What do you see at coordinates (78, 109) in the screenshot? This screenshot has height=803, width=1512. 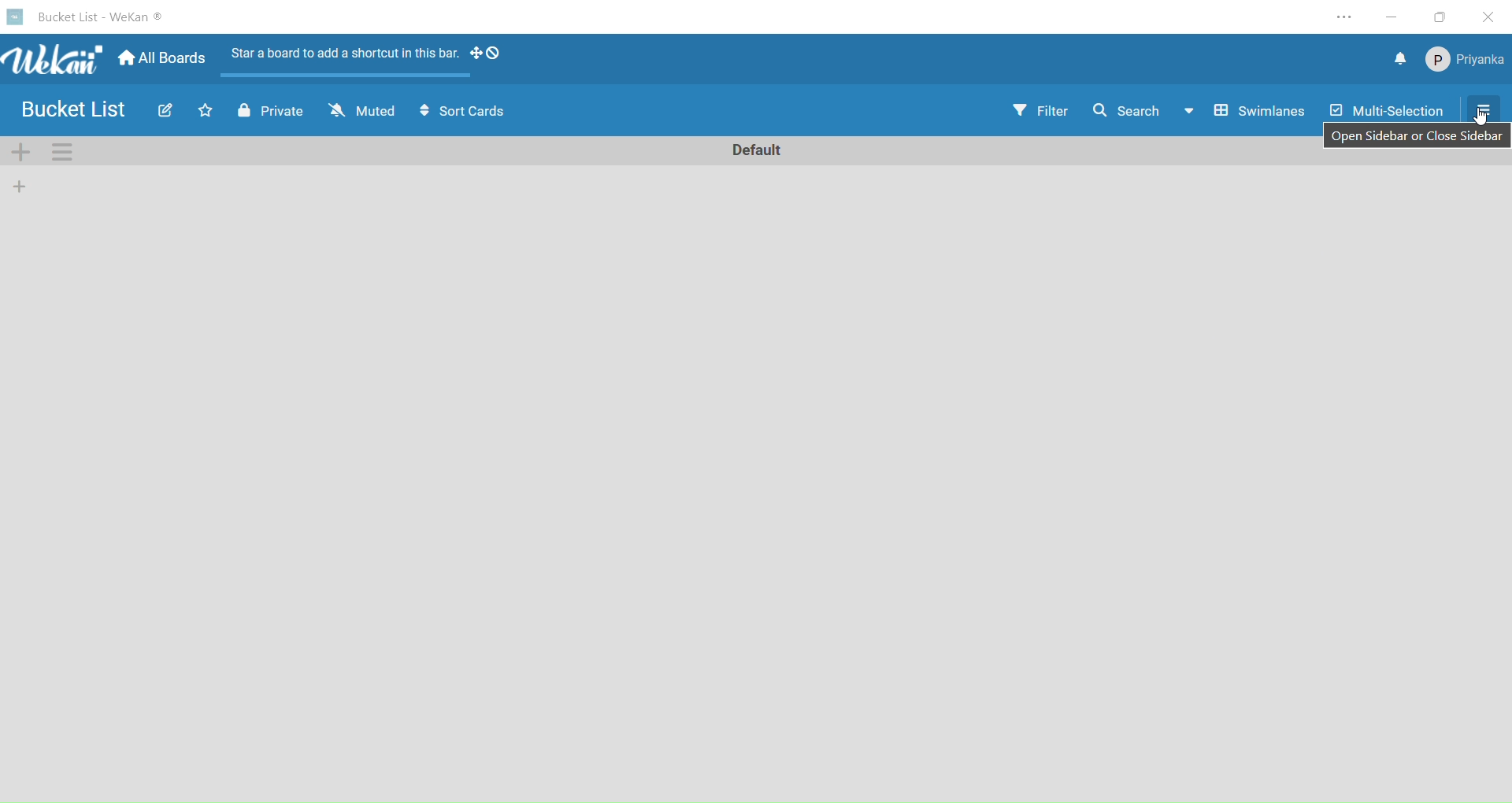 I see `board name` at bounding box center [78, 109].